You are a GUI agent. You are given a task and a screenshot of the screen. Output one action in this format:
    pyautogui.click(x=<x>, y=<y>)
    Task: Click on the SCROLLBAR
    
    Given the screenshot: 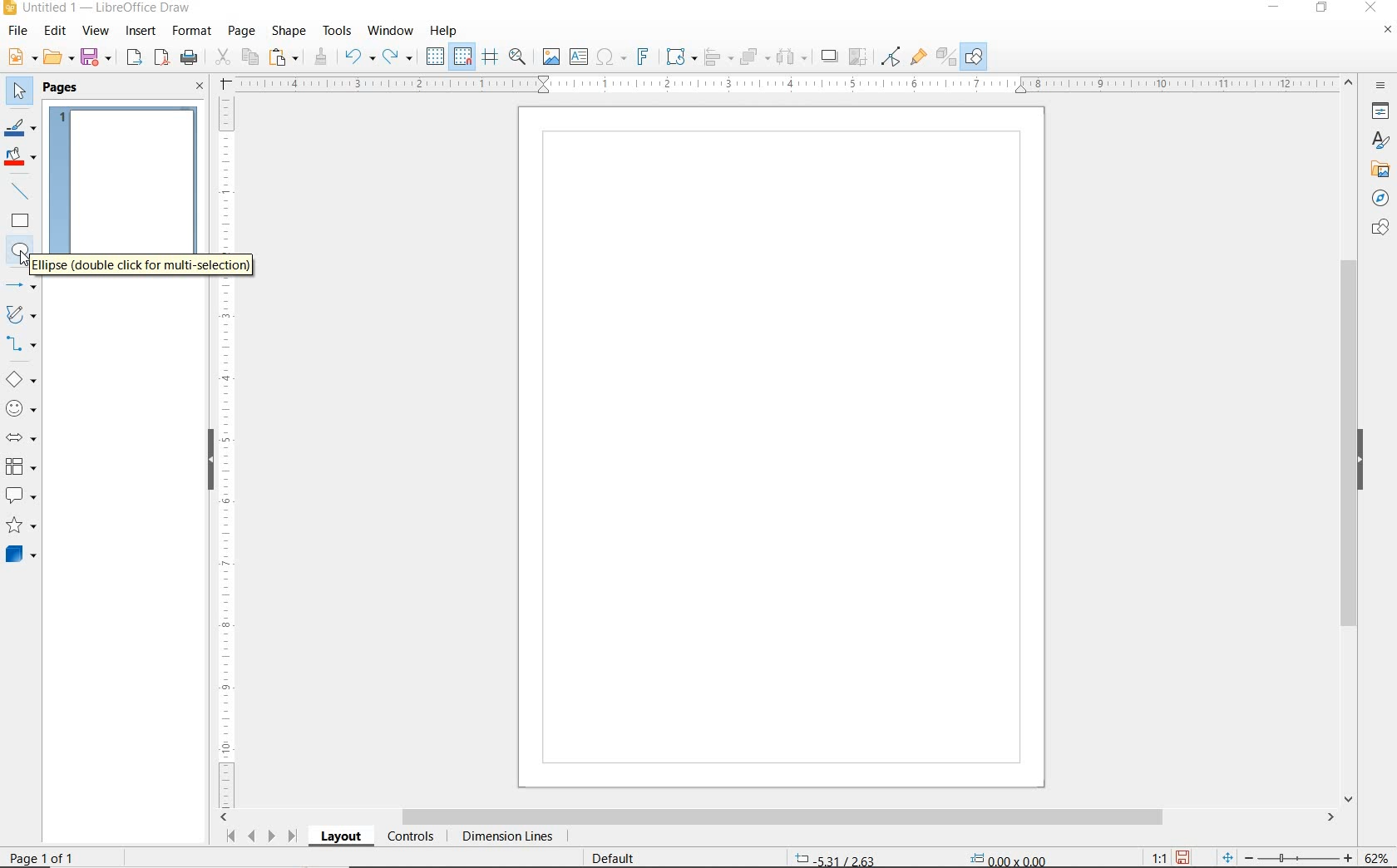 What is the action you would take?
    pyautogui.click(x=1349, y=441)
    